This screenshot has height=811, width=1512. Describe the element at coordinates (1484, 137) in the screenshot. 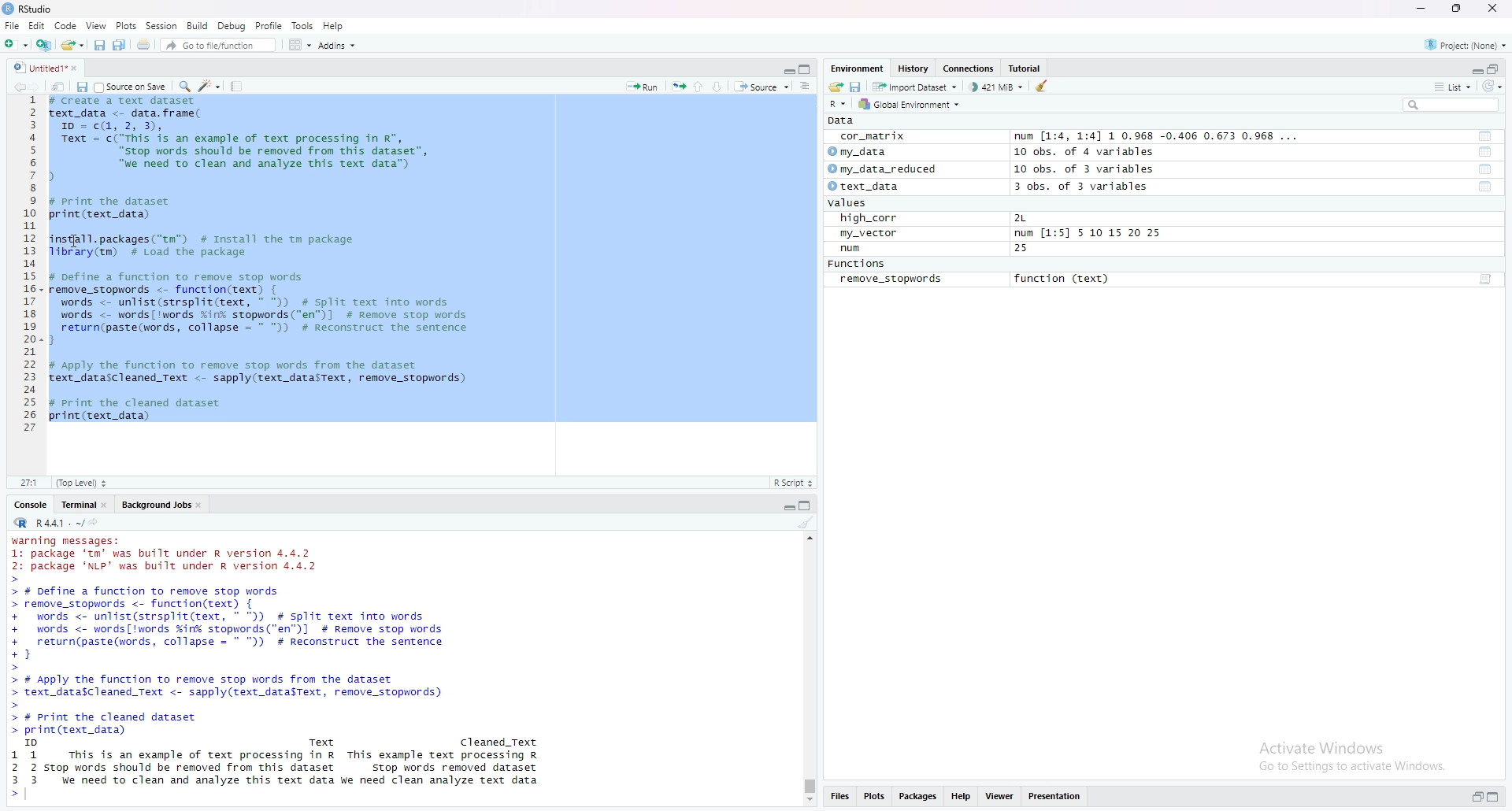

I see `functions` at that location.